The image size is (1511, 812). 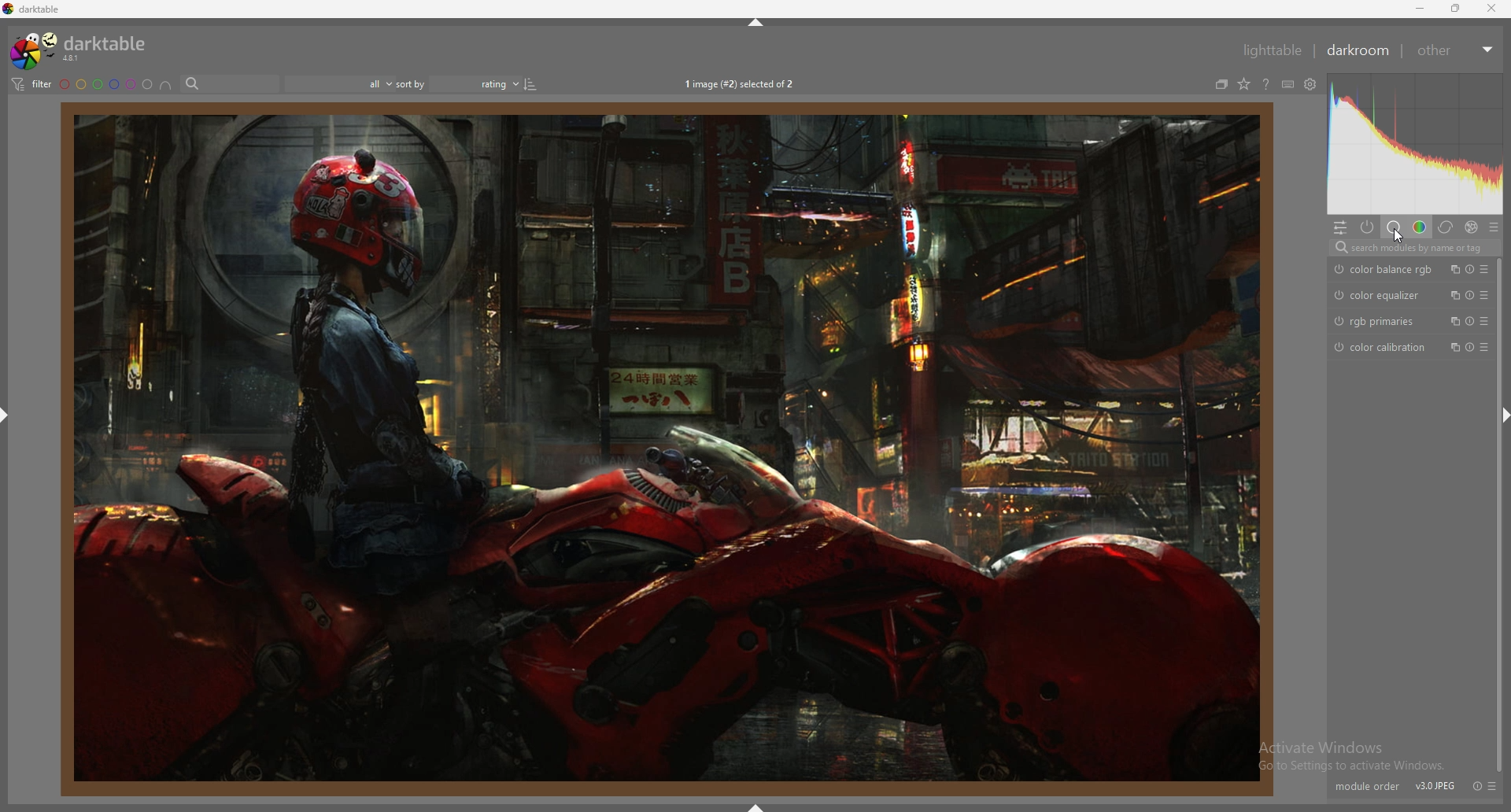 What do you see at coordinates (485, 83) in the screenshot?
I see `Sort order` at bounding box center [485, 83].